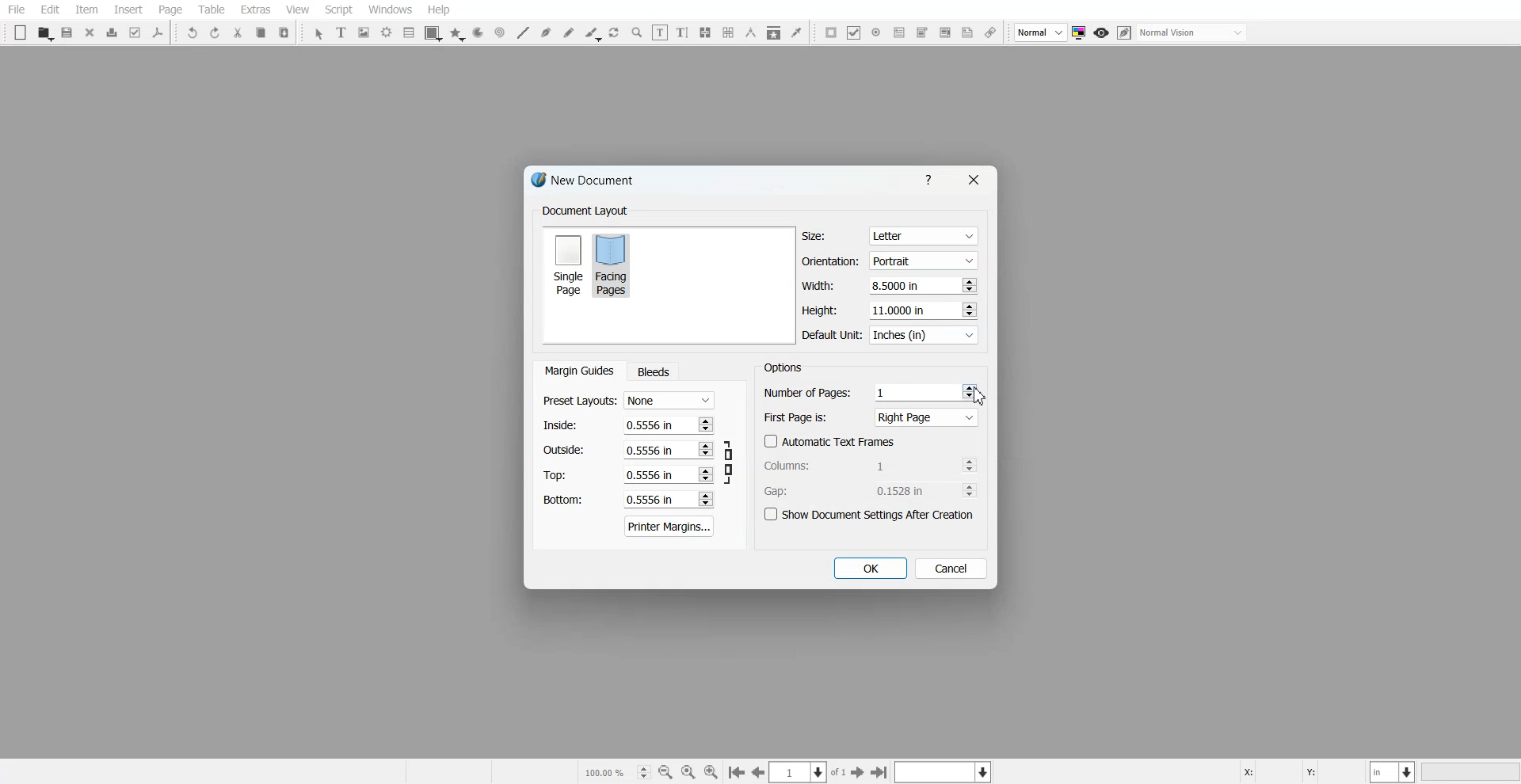 This screenshot has width=1521, height=784. I want to click on Automatic Text Frames, so click(830, 441).